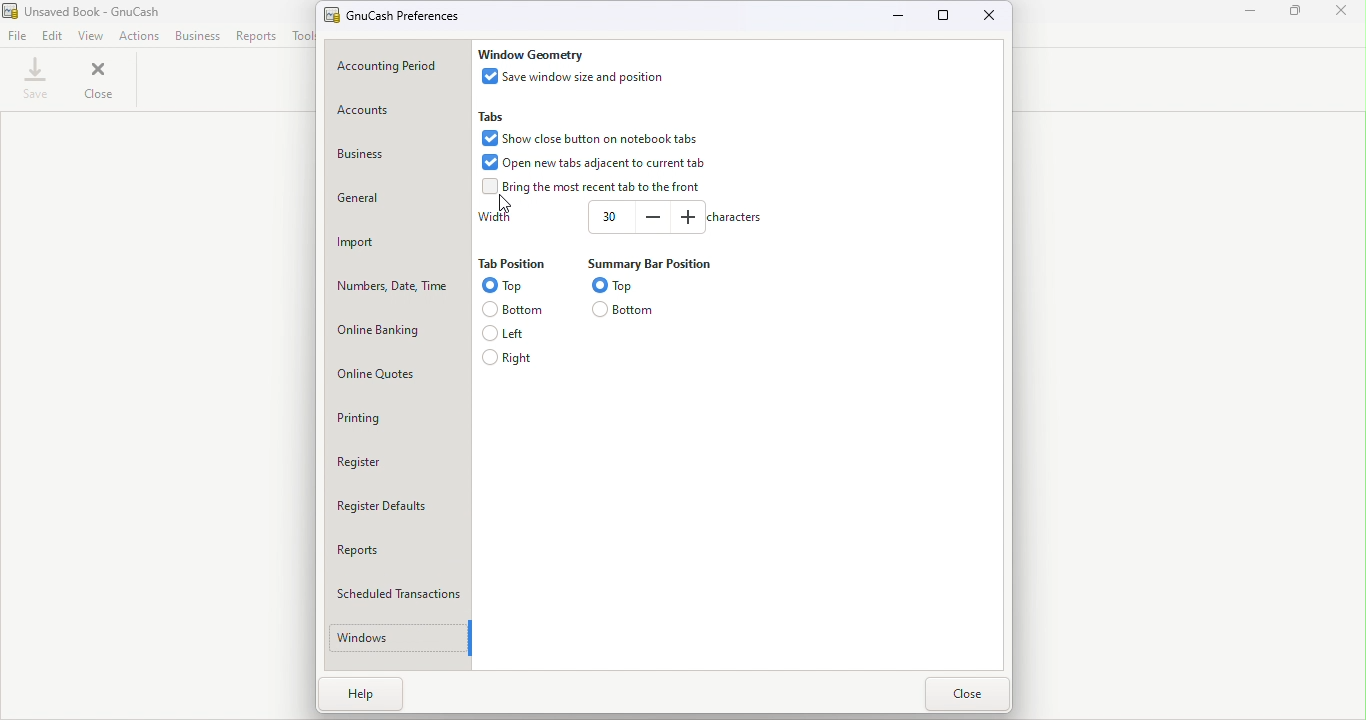 This screenshot has height=720, width=1366. I want to click on Online Banking, so click(399, 330).